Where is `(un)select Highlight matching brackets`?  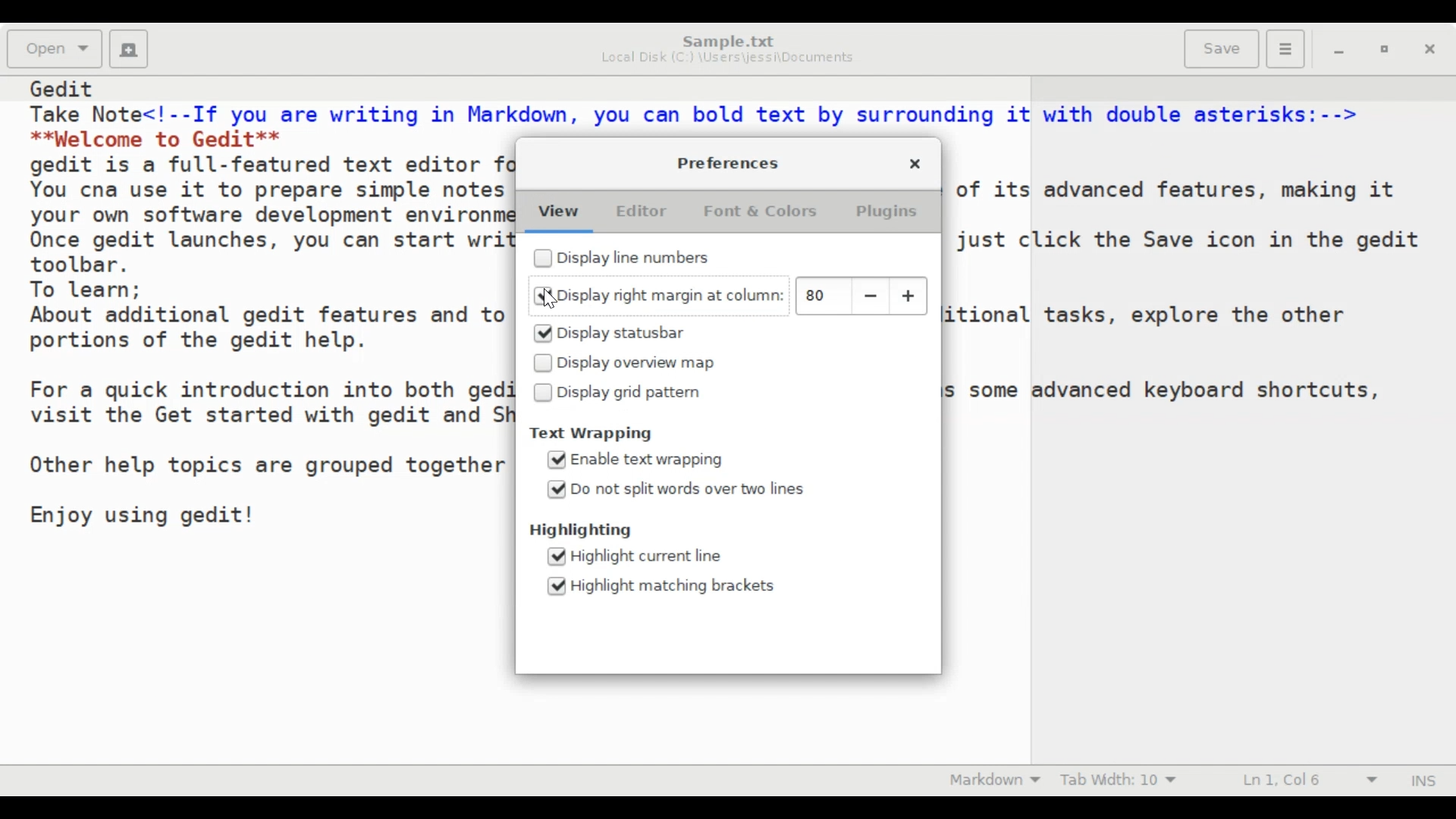
(un)select Highlight matching brackets is located at coordinates (670, 586).